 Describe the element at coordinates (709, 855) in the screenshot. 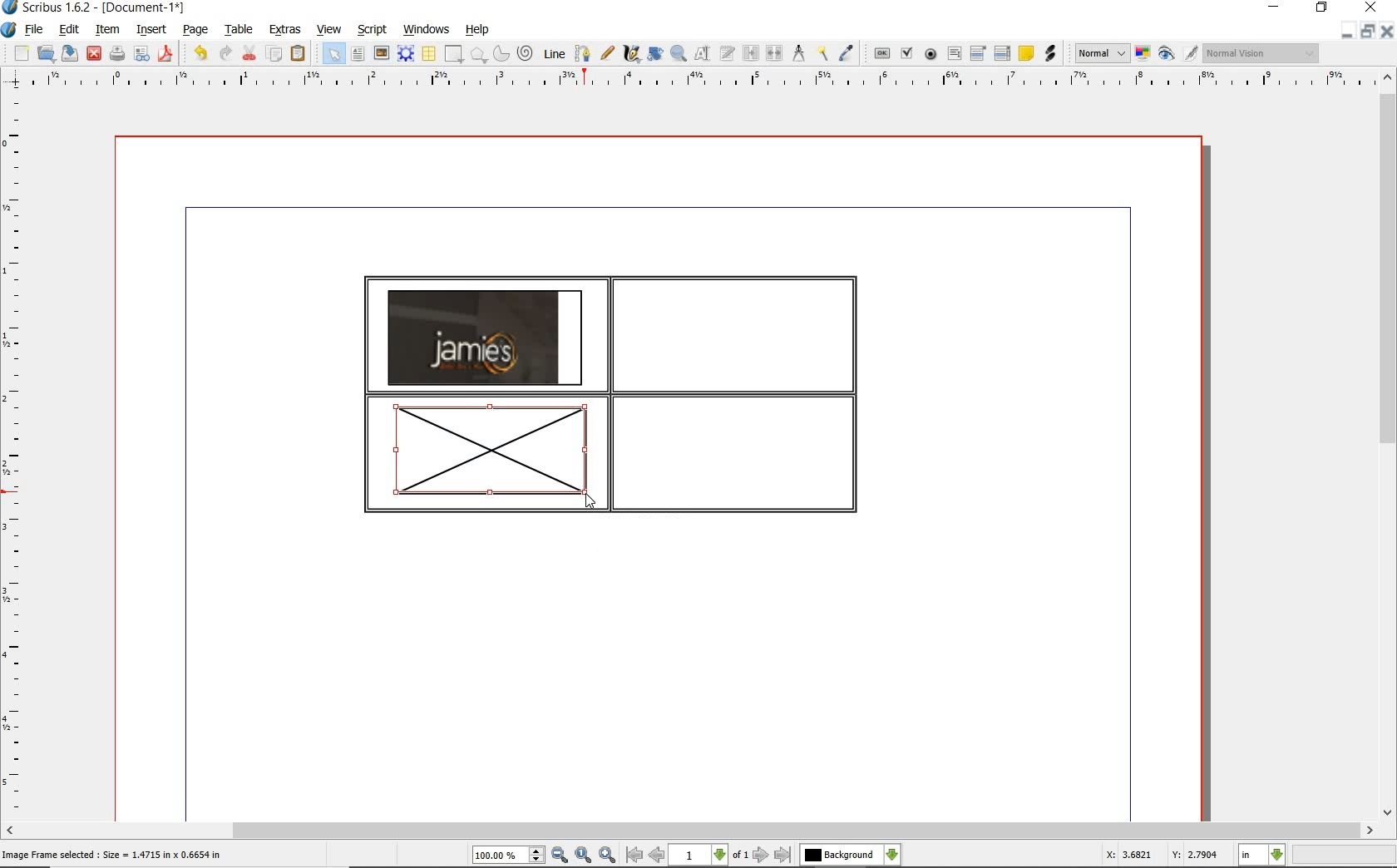

I see `select current page level` at that location.